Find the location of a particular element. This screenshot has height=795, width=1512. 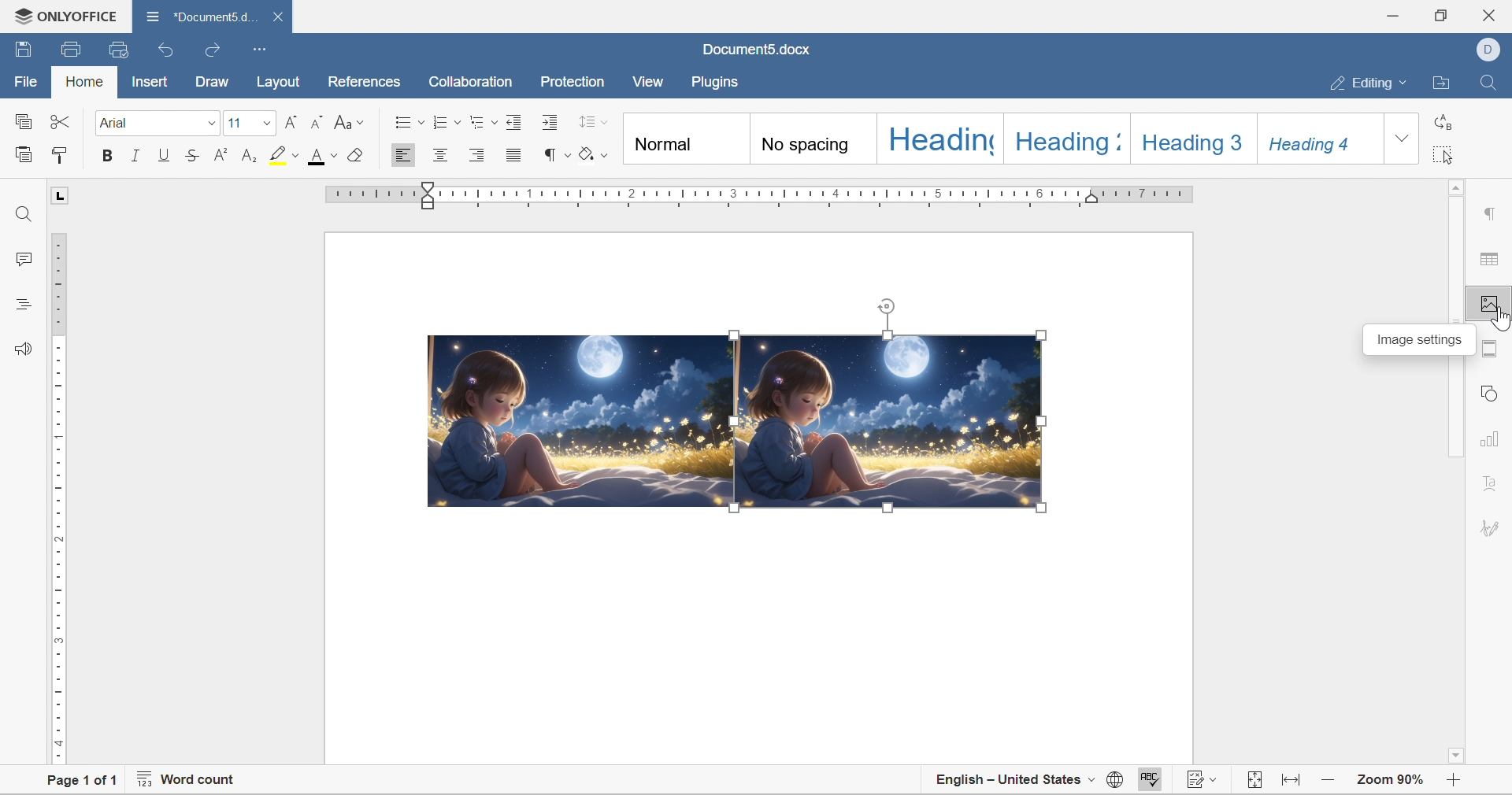

save is located at coordinates (21, 49).